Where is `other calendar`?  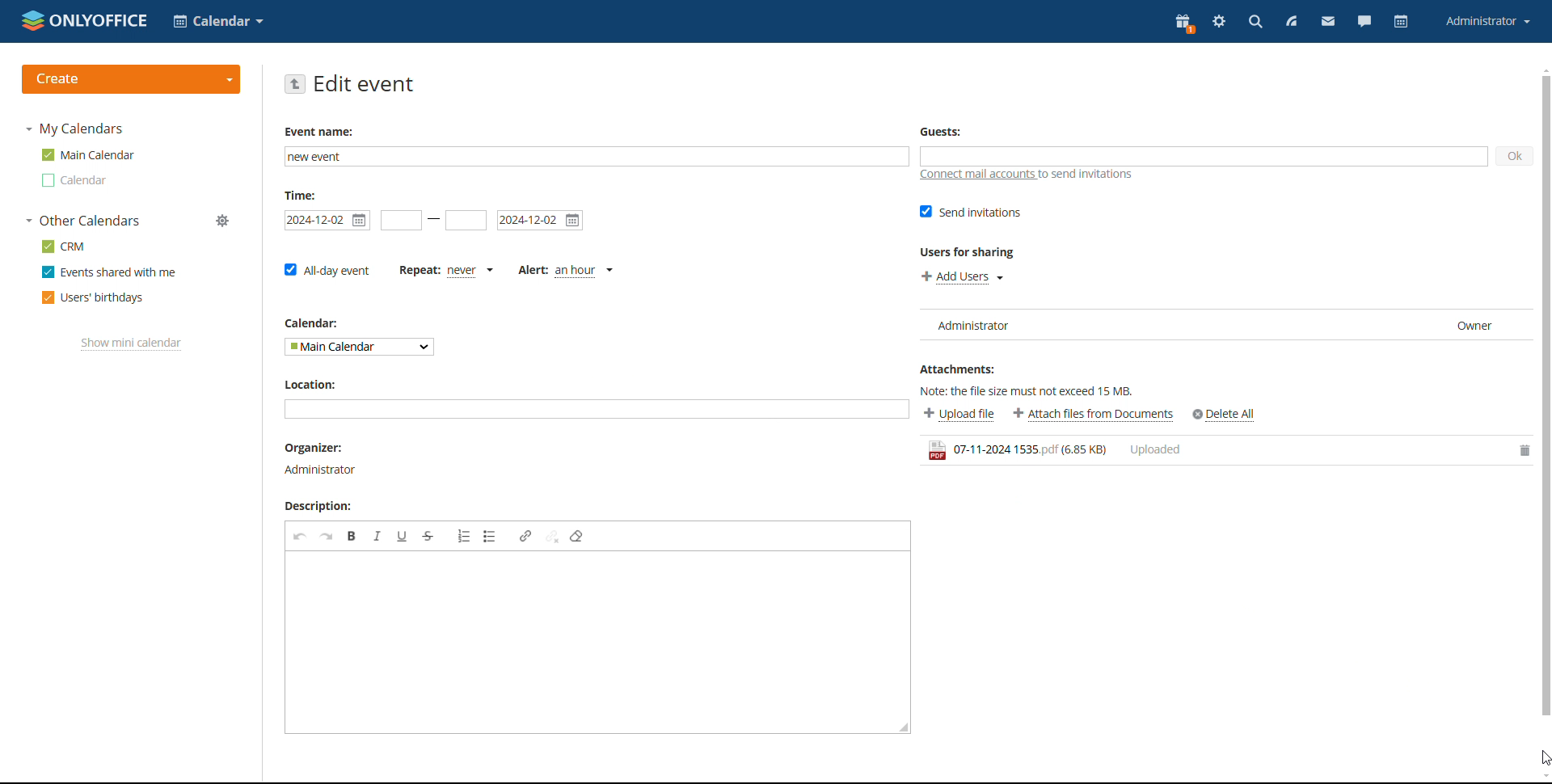
other calendar is located at coordinates (72, 180).